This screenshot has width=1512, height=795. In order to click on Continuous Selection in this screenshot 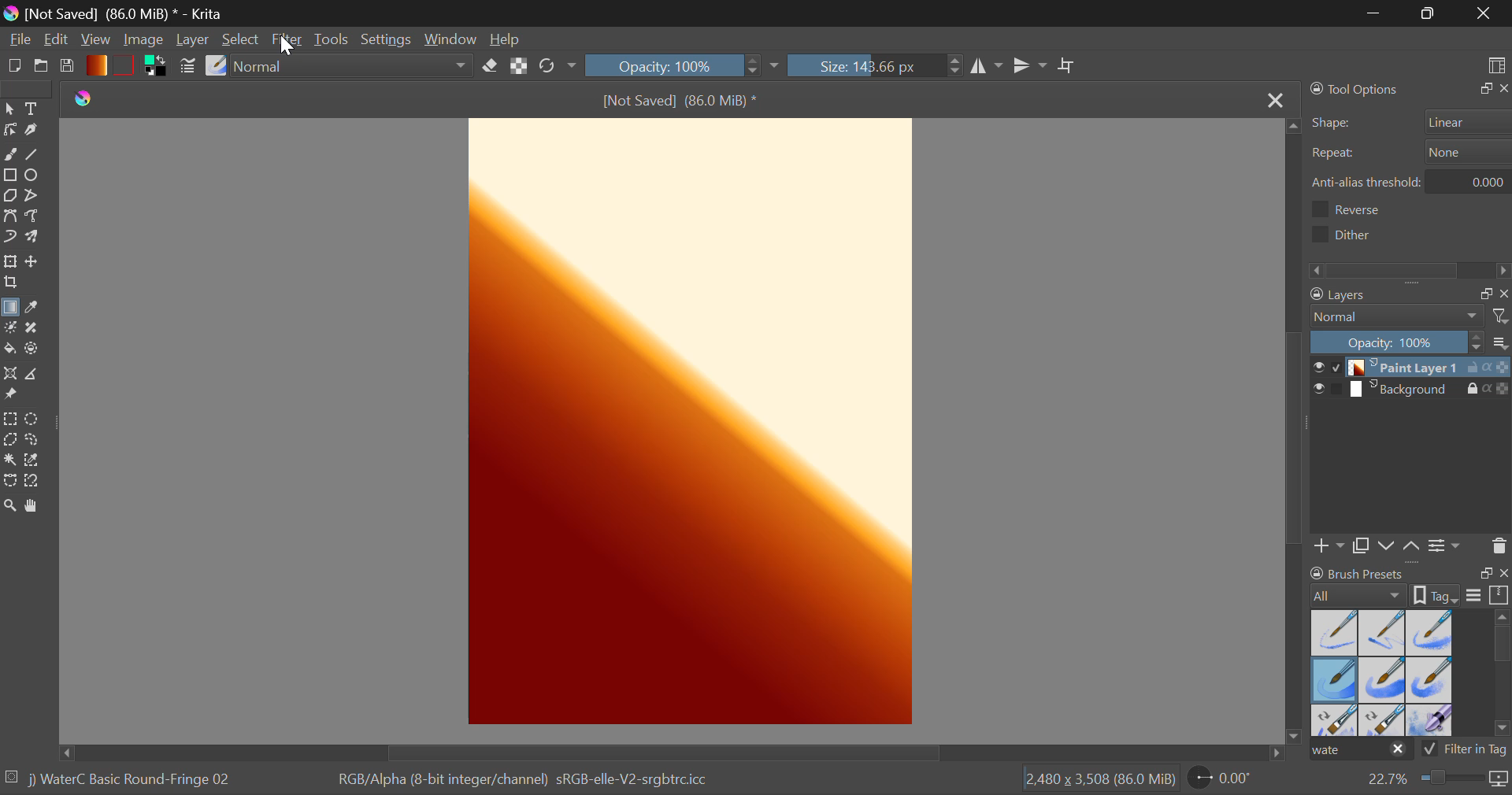, I will do `click(9, 462)`.